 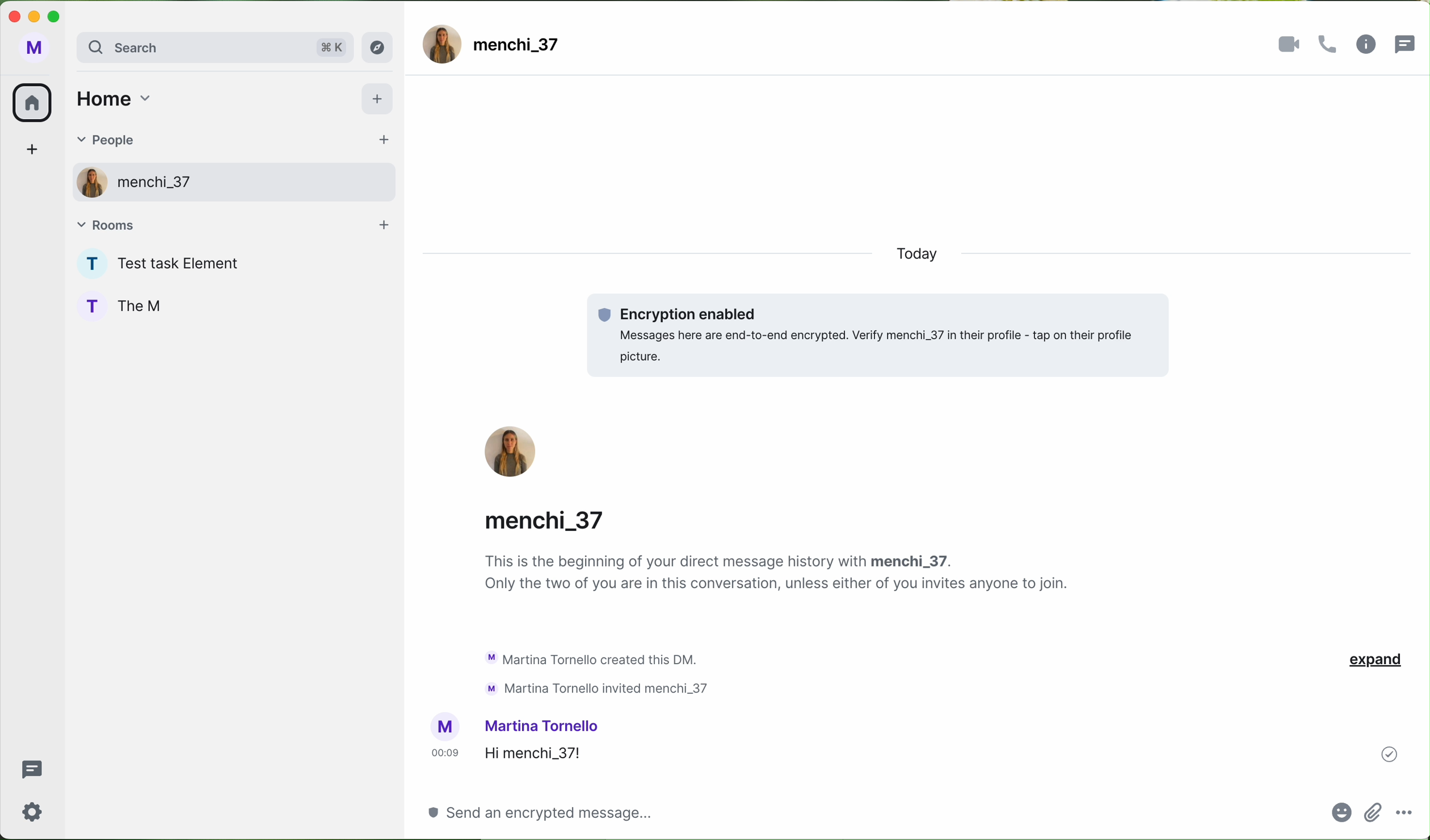 What do you see at coordinates (33, 811) in the screenshot?
I see `settings` at bounding box center [33, 811].